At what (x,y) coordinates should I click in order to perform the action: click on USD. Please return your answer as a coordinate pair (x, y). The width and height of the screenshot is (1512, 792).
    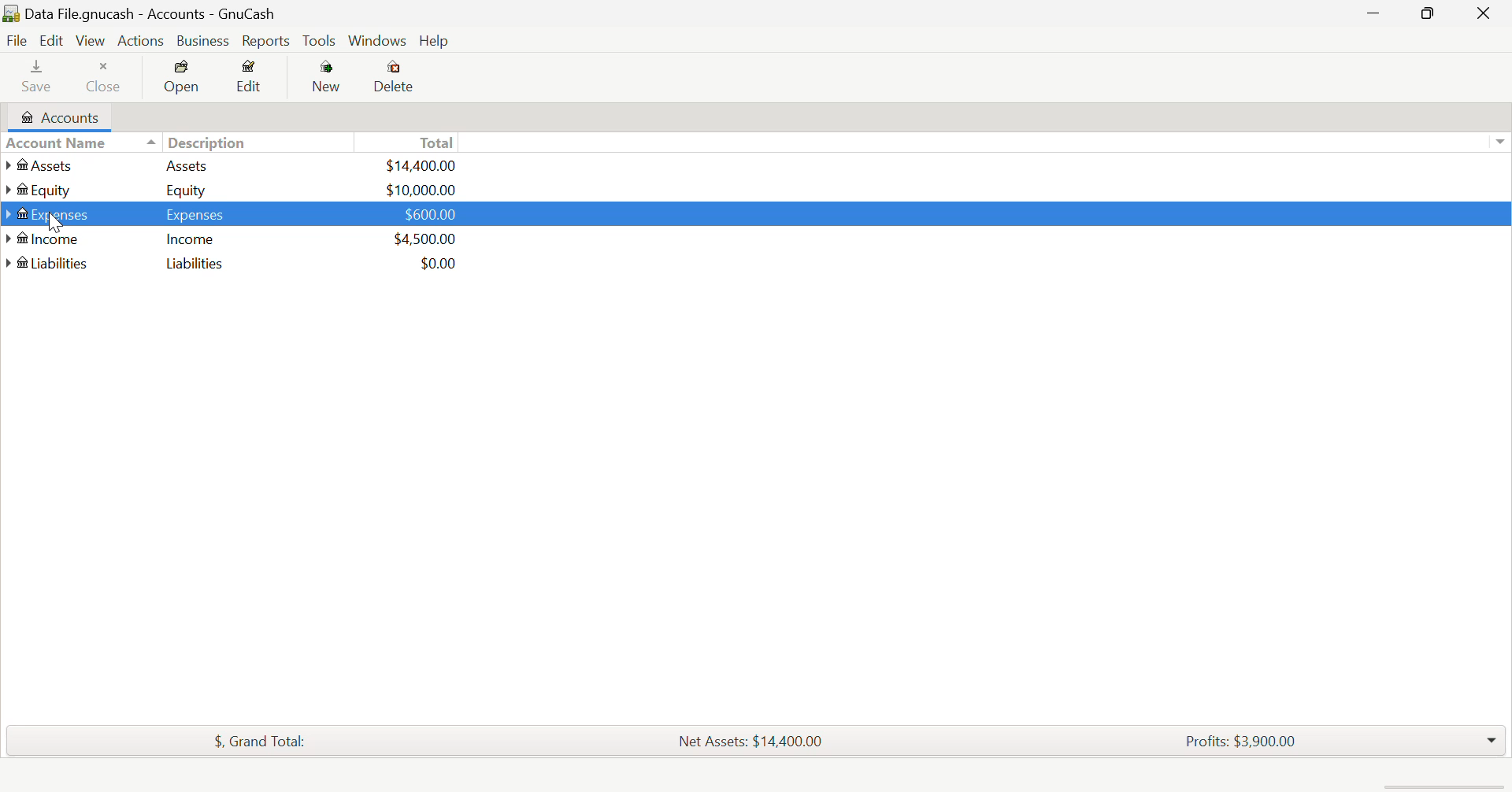
    Looking at the image, I should click on (421, 190).